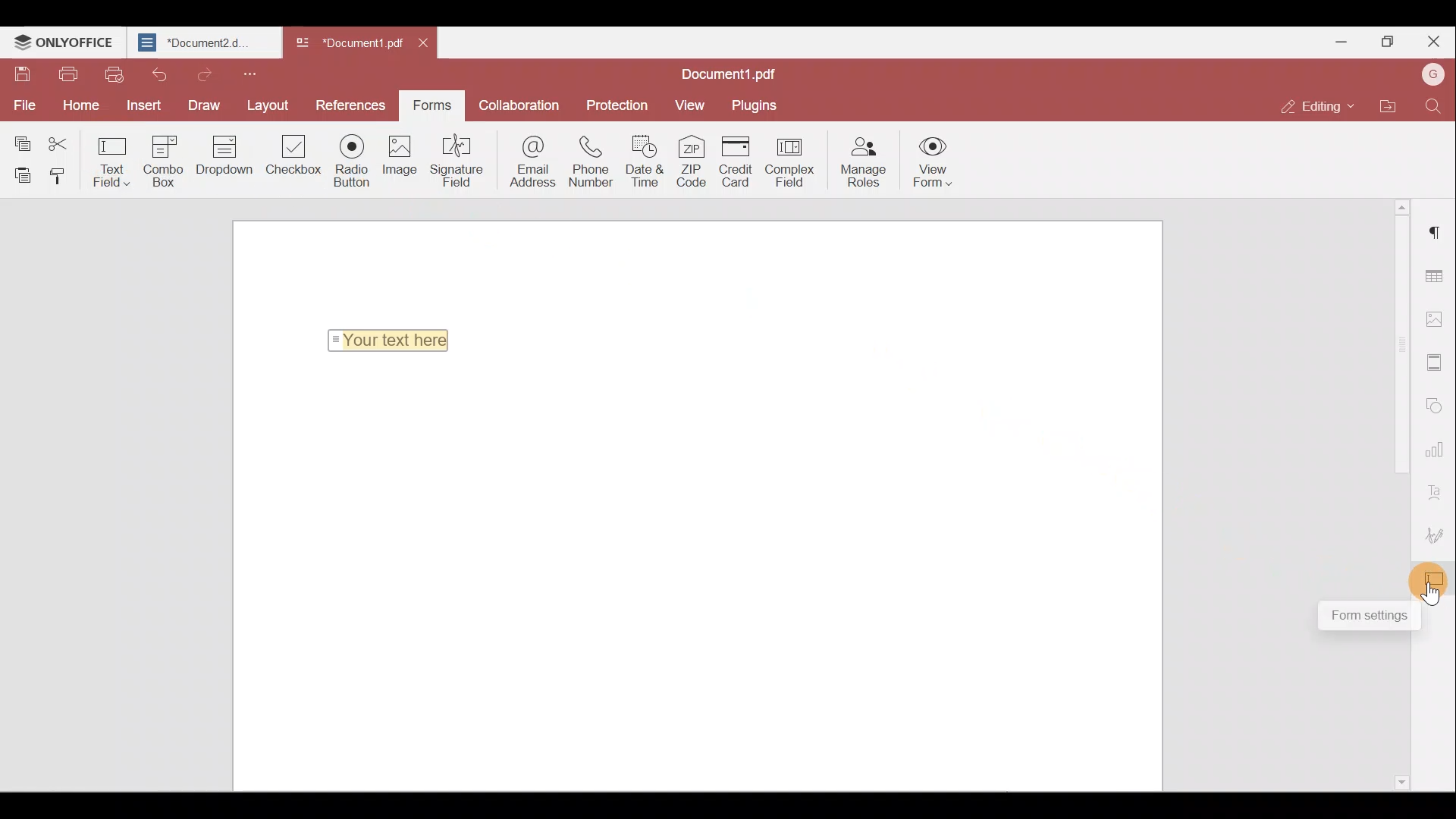 Image resolution: width=1456 pixels, height=819 pixels. What do you see at coordinates (23, 104) in the screenshot?
I see `File` at bounding box center [23, 104].